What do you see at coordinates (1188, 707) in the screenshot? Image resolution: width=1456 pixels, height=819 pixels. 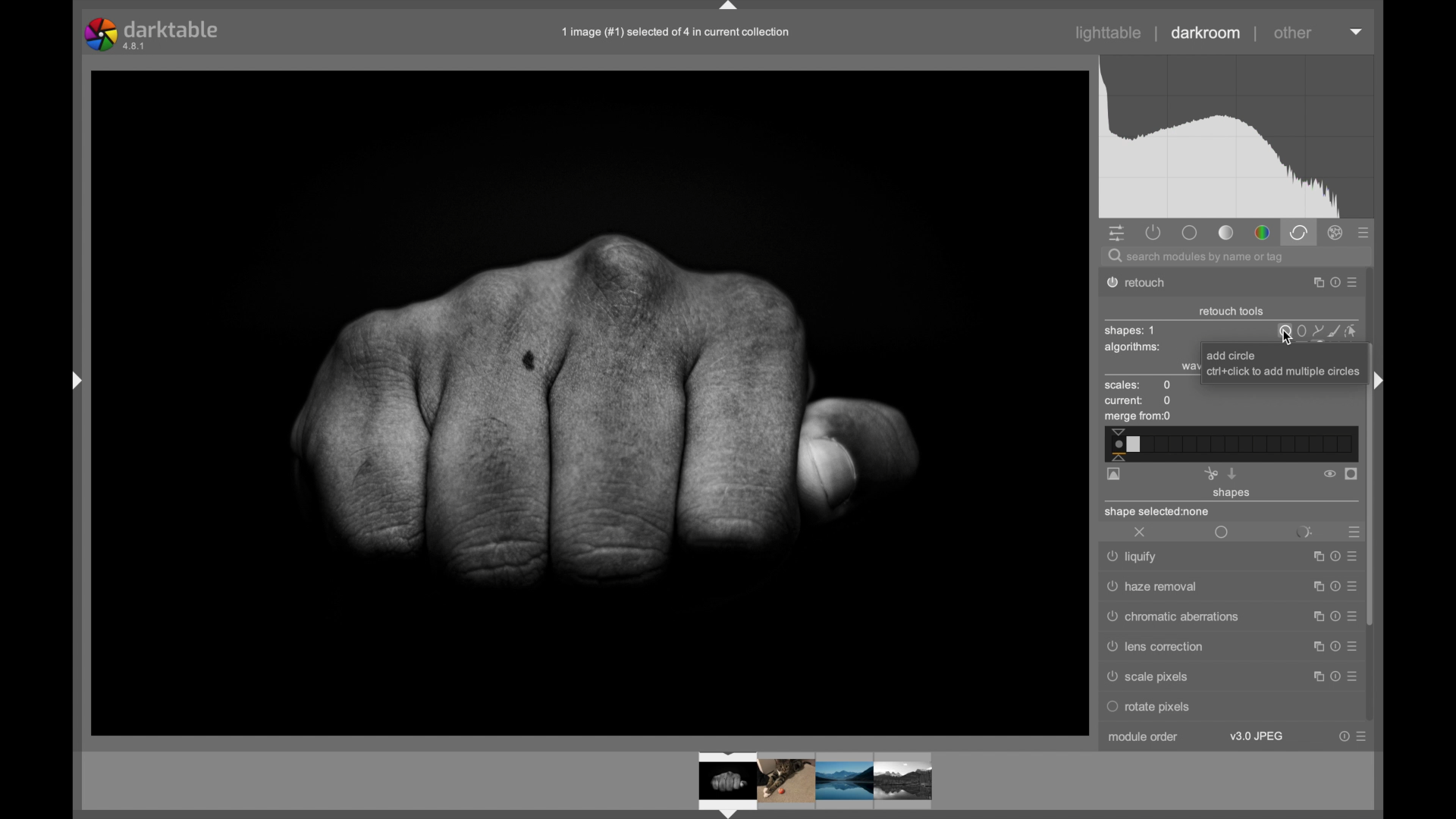 I see `rotate pixels` at bounding box center [1188, 707].